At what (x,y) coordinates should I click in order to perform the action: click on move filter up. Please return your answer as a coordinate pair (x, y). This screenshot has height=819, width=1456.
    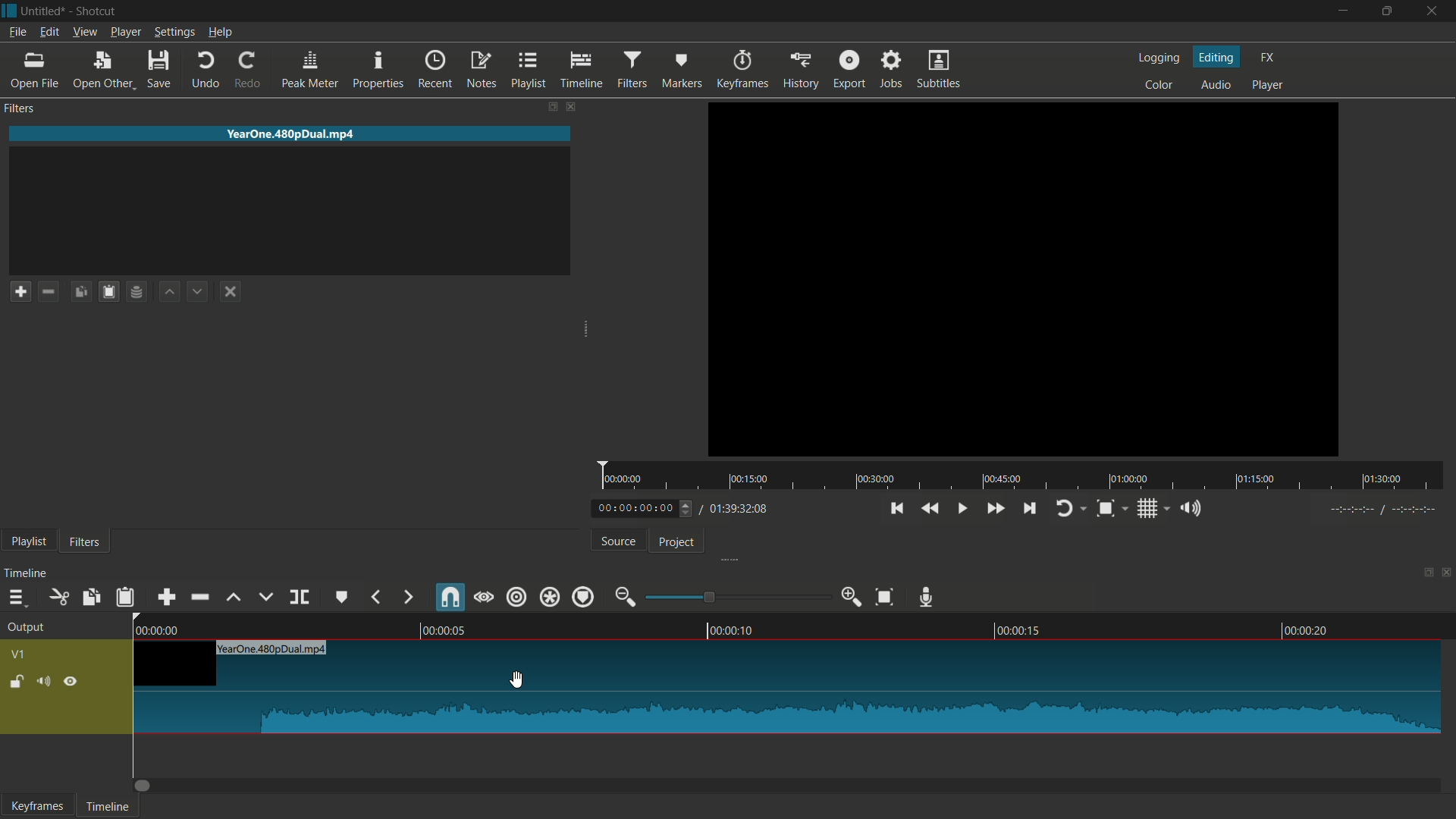
    Looking at the image, I should click on (168, 292).